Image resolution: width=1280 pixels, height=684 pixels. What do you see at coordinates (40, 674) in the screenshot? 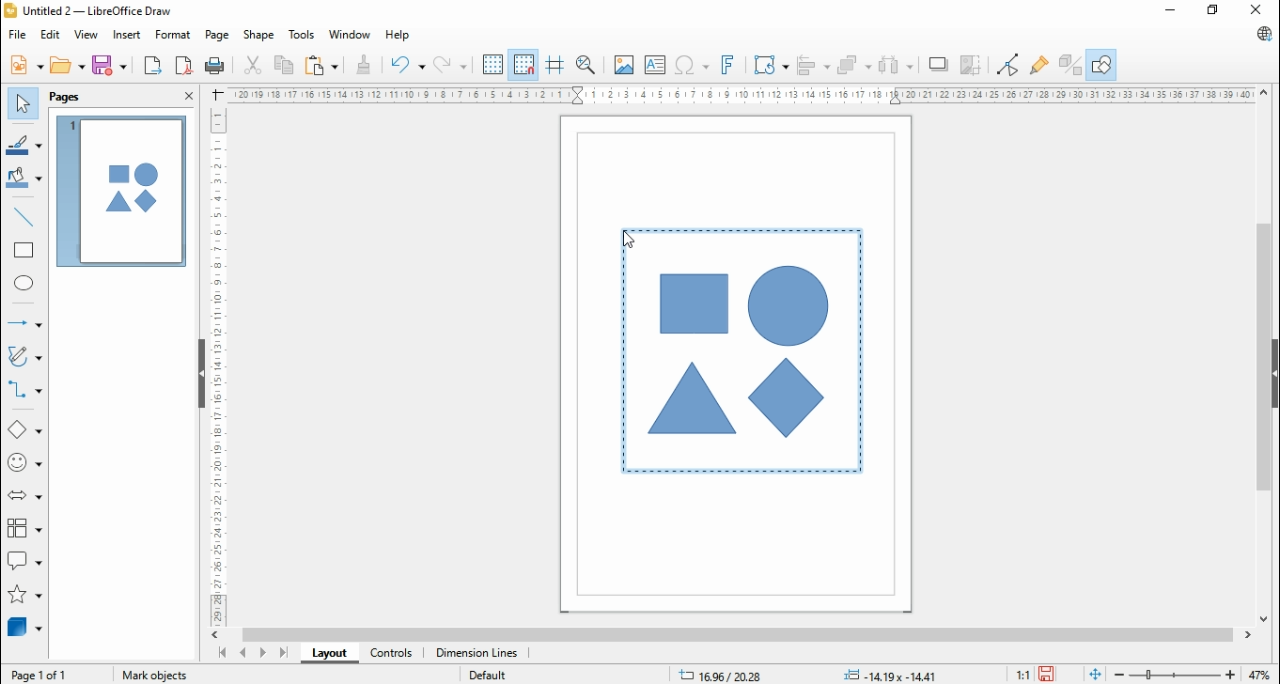
I see `page 1of 1` at bounding box center [40, 674].